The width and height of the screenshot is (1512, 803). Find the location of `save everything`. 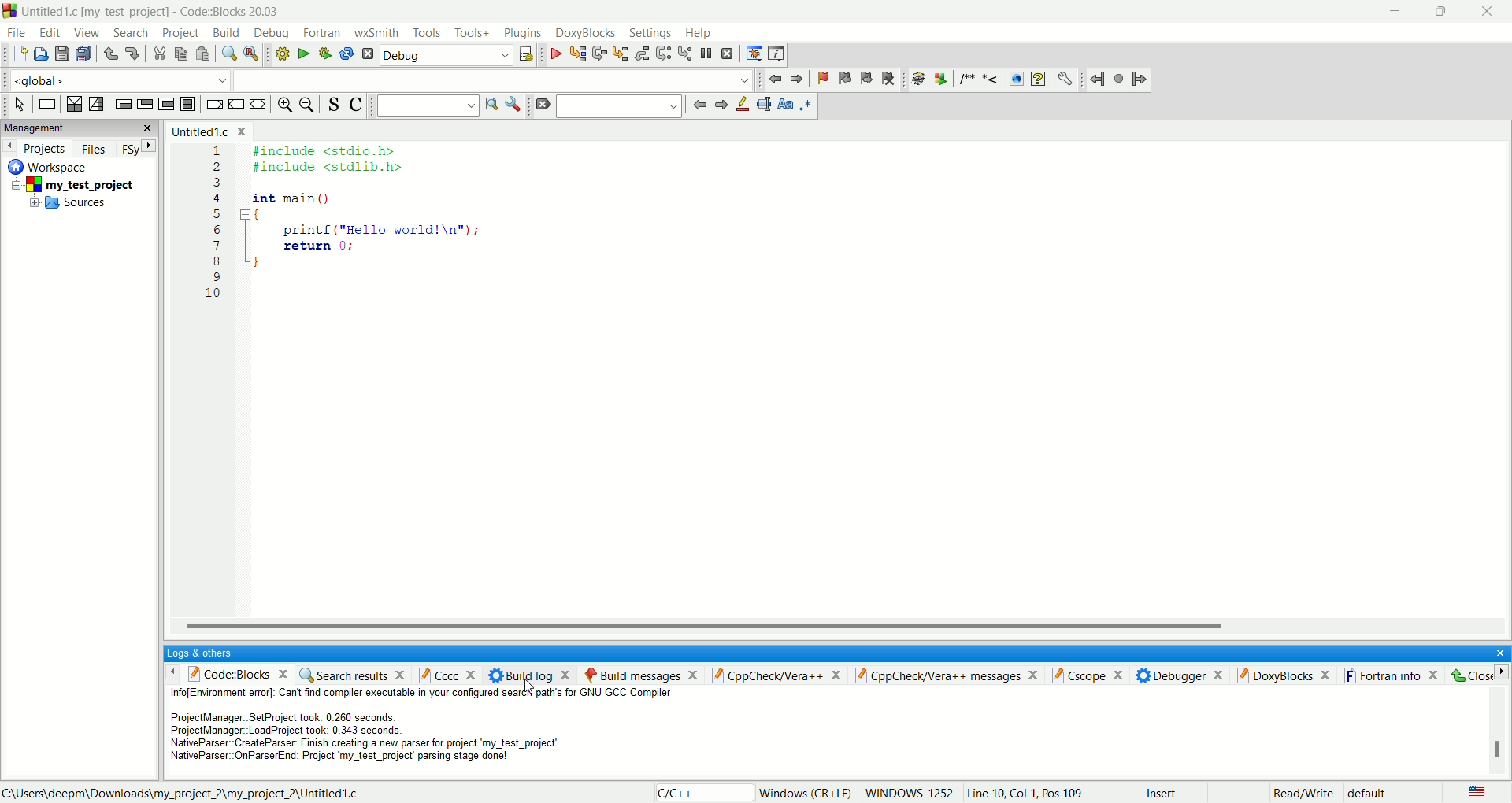

save everything is located at coordinates (83, 54).